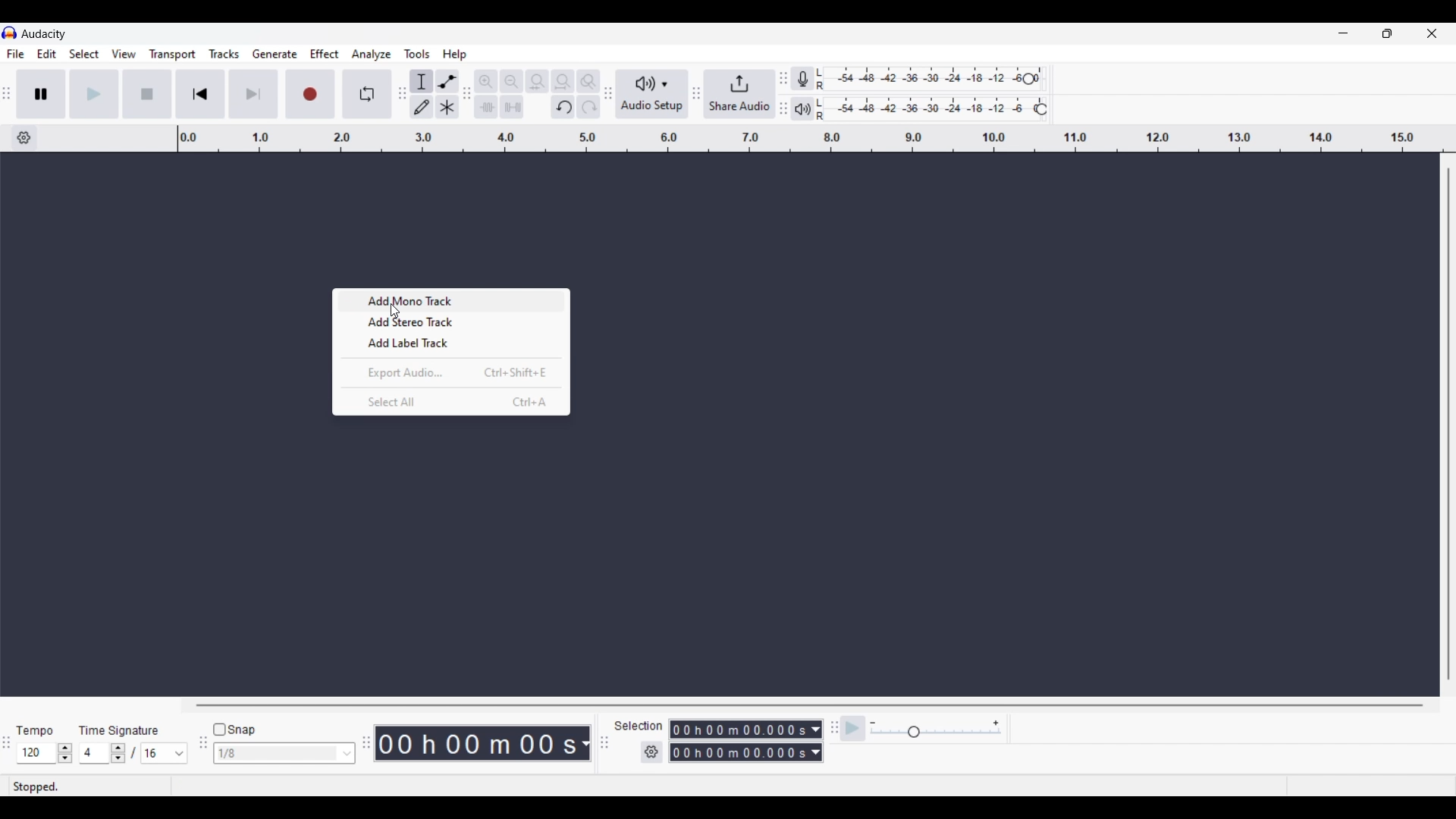 The height and width of the screenshot is (819, 1456). What do you see at coordinates (537, 82) in the screenshot?
I see `Fit selection to width` at bounding box center [537, 82].